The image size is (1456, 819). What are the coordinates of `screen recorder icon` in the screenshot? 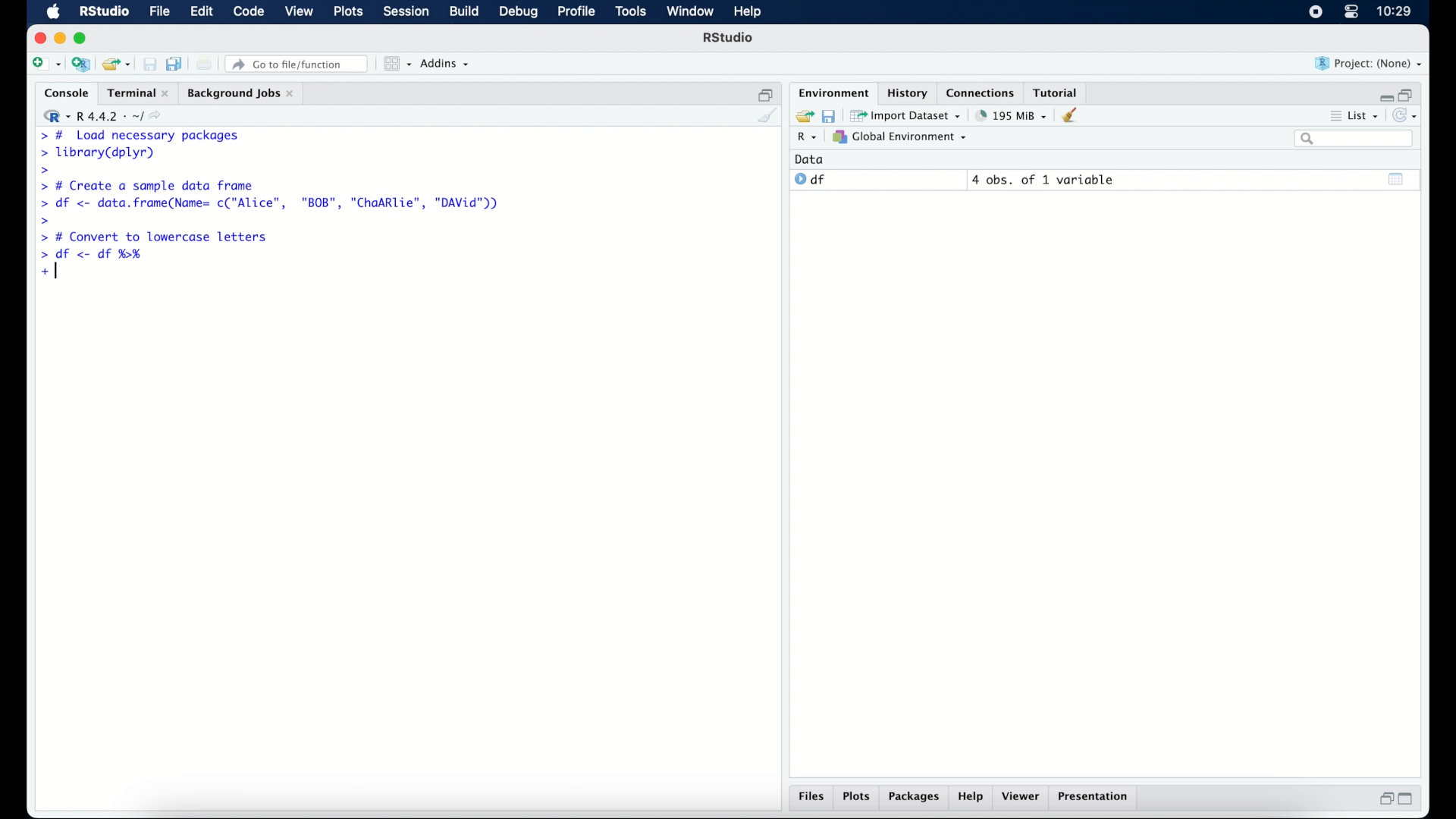 It's located at (1314, 12).